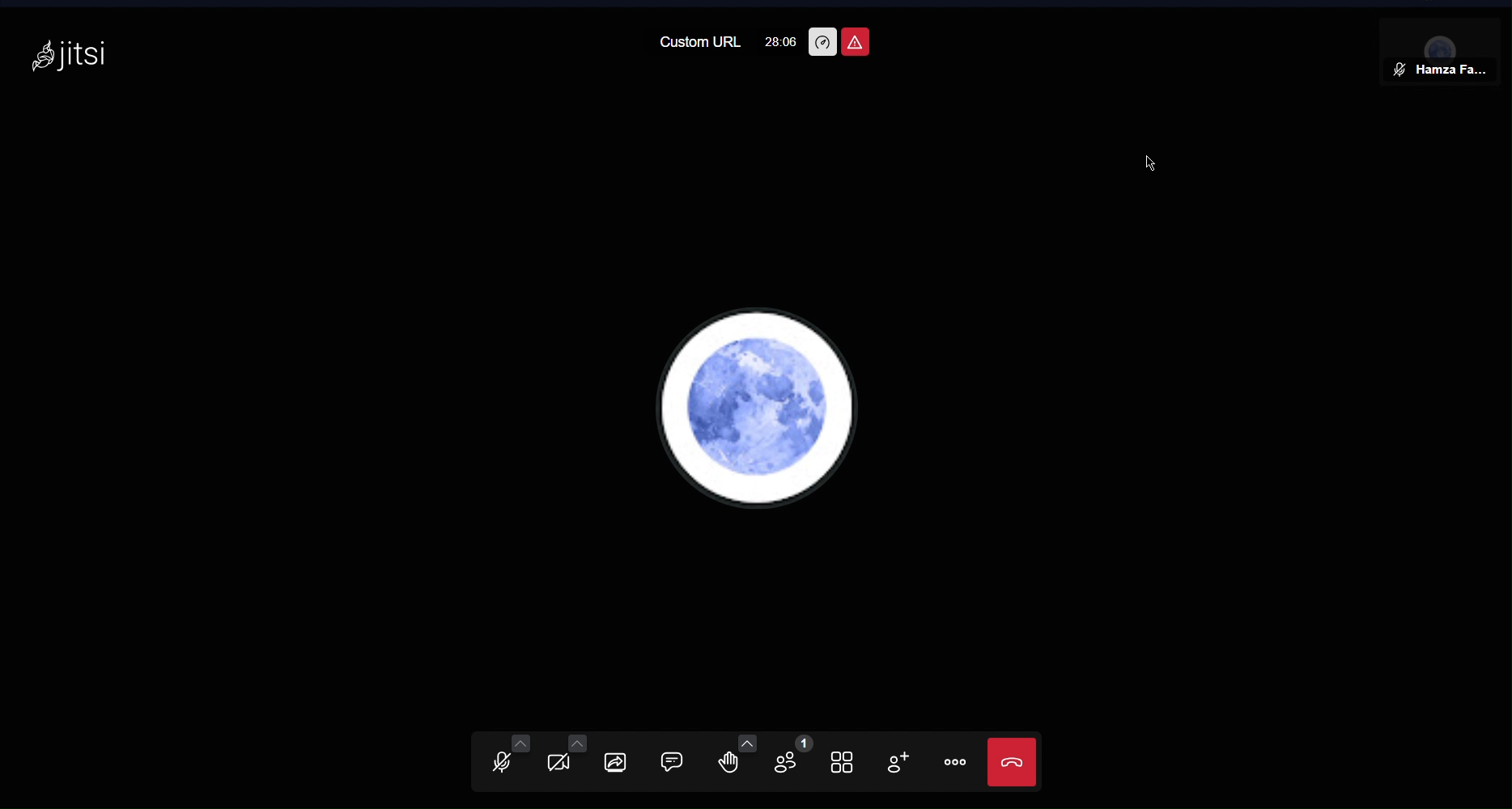 Image resolution: width=1512 pixels, height=809 pixels. I want to click on 28:06, so click(782, 42).